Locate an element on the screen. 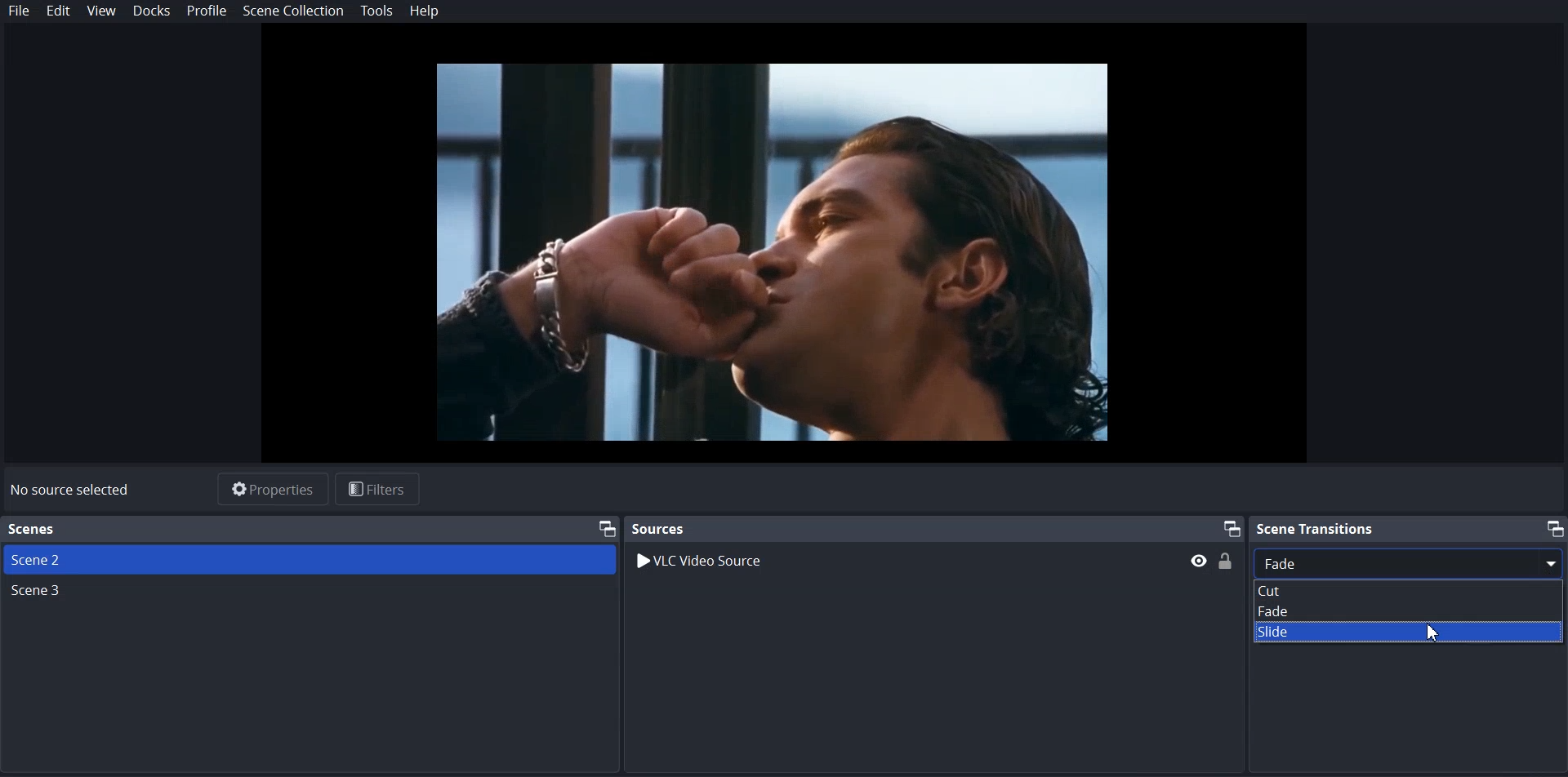 The width and height of the screenshot is (1568, 777). Tools is located at coordinates (377, 11).